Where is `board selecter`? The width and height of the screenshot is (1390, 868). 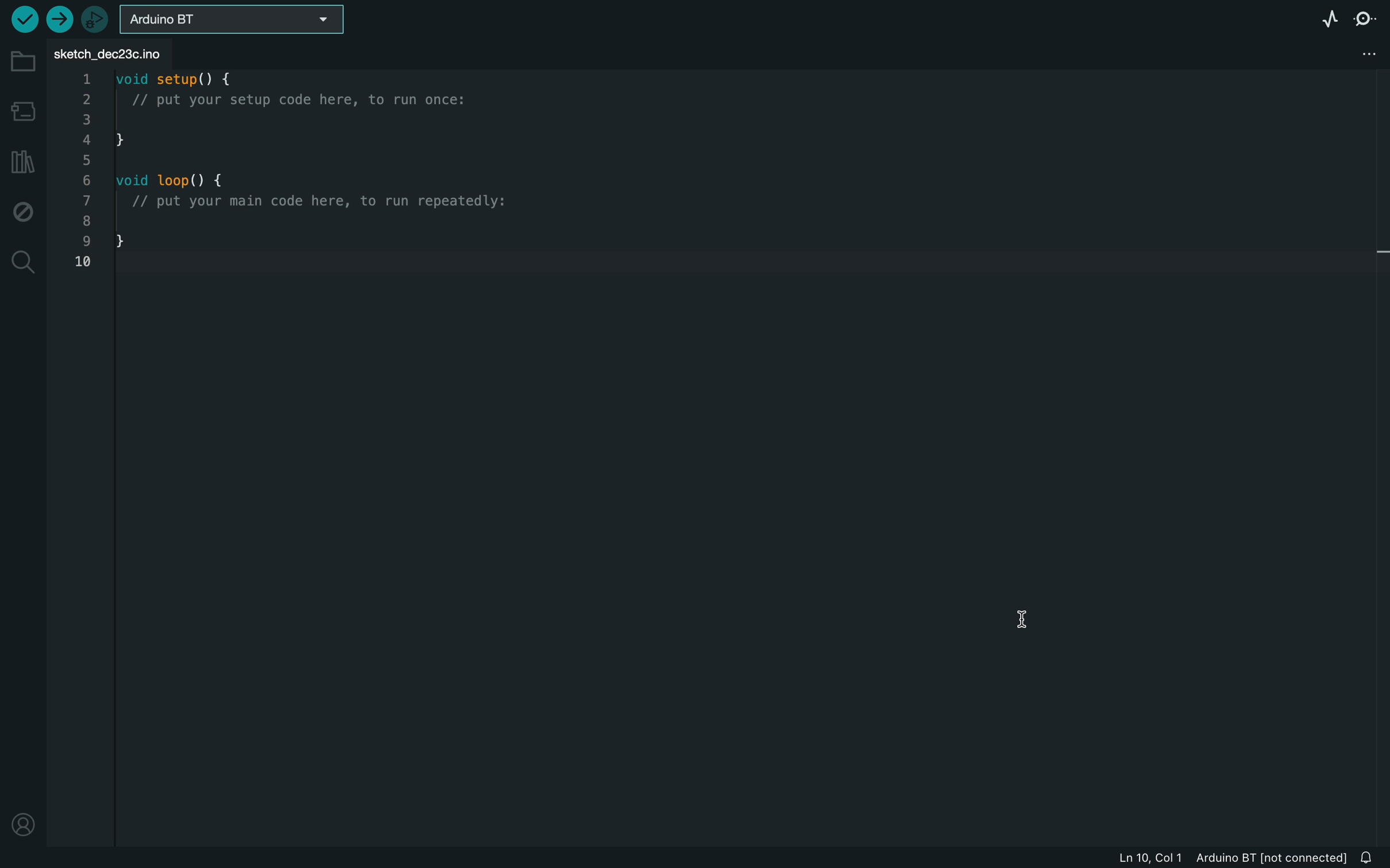 board selecter is located at coordinates (239, 21).